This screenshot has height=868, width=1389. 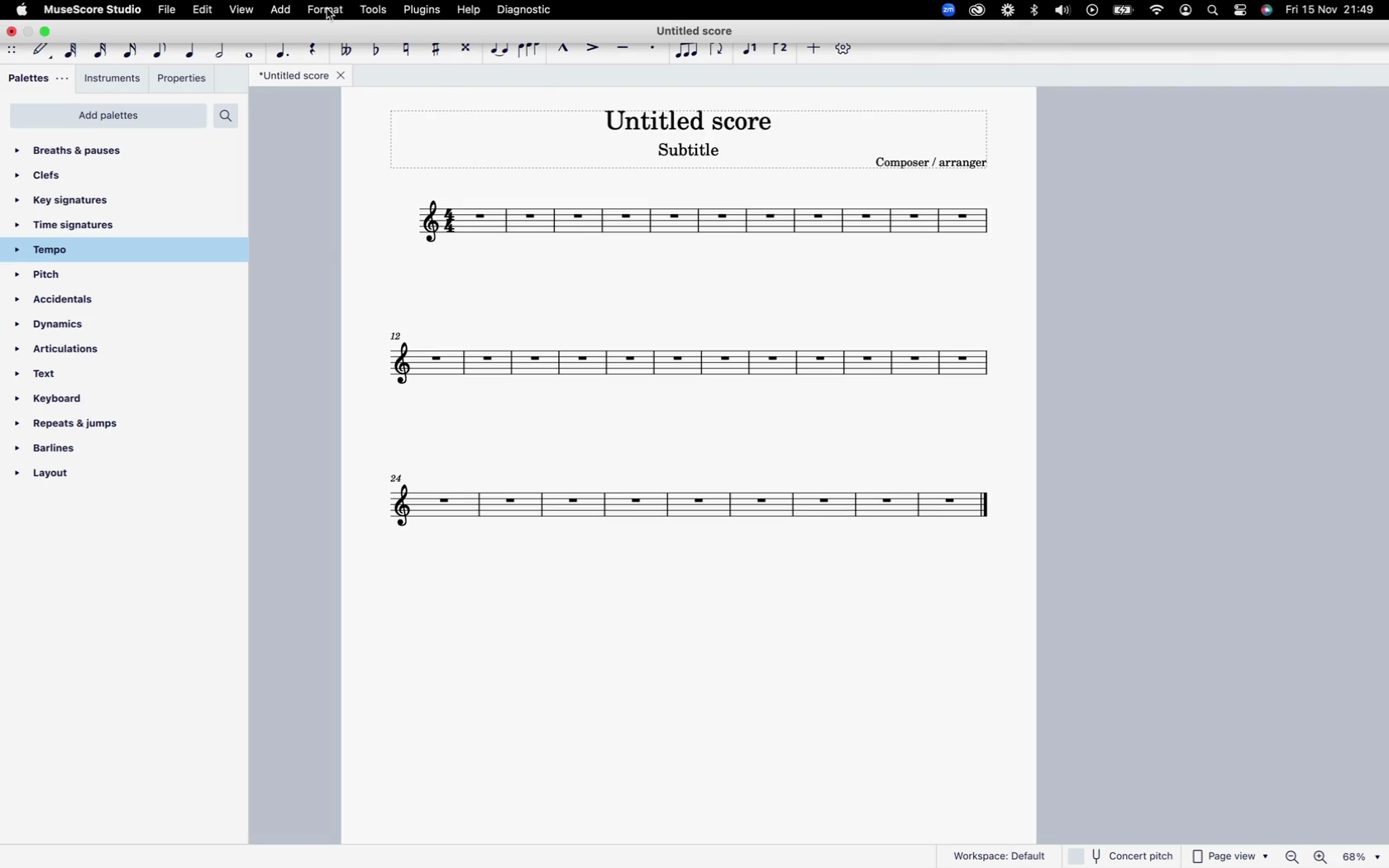 What do you see at coordinates (1229, 856) in the screenshot?
I see `page view` at bounding box center [1229, 856].